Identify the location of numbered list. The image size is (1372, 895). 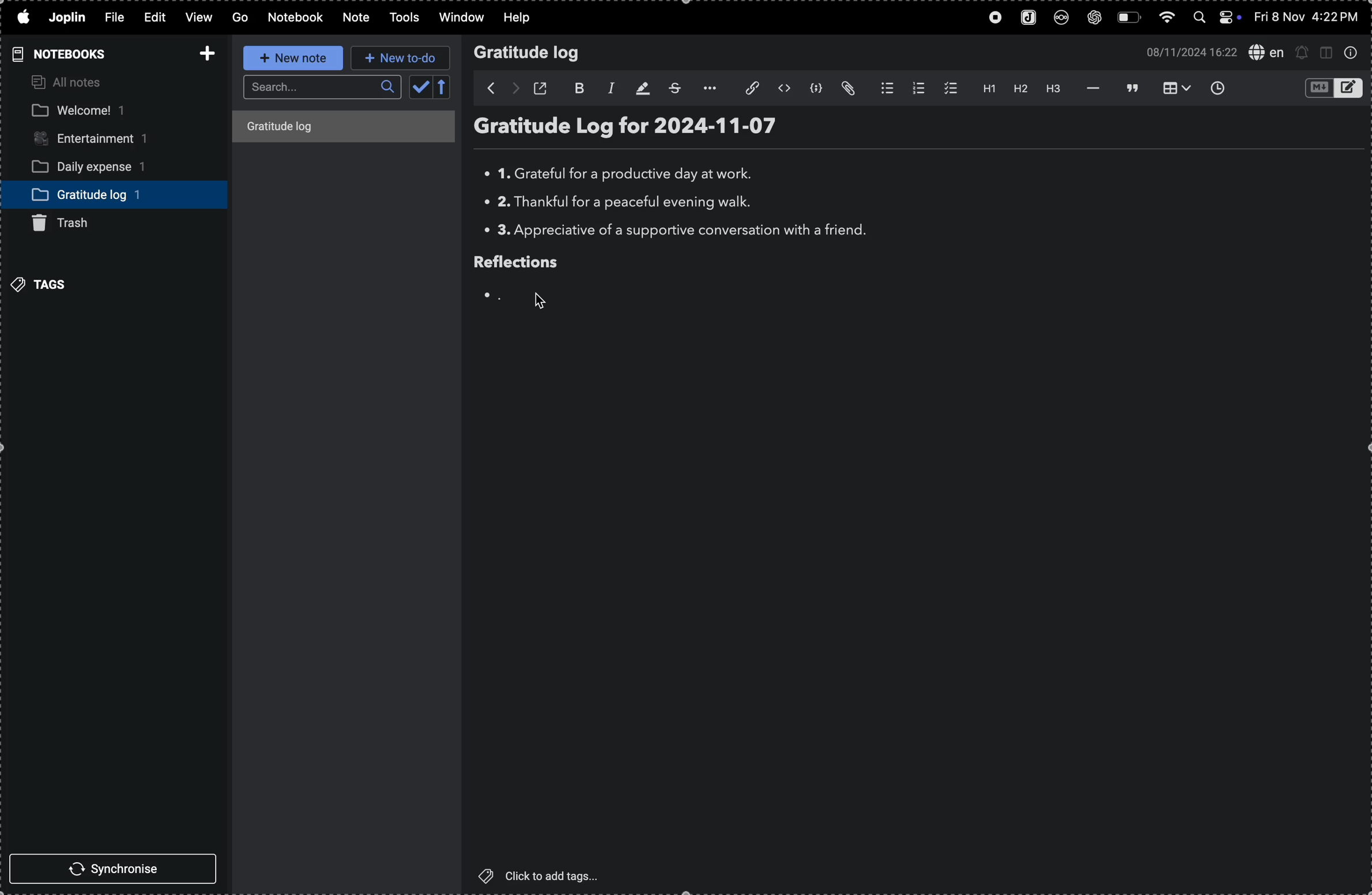
(917, 89).